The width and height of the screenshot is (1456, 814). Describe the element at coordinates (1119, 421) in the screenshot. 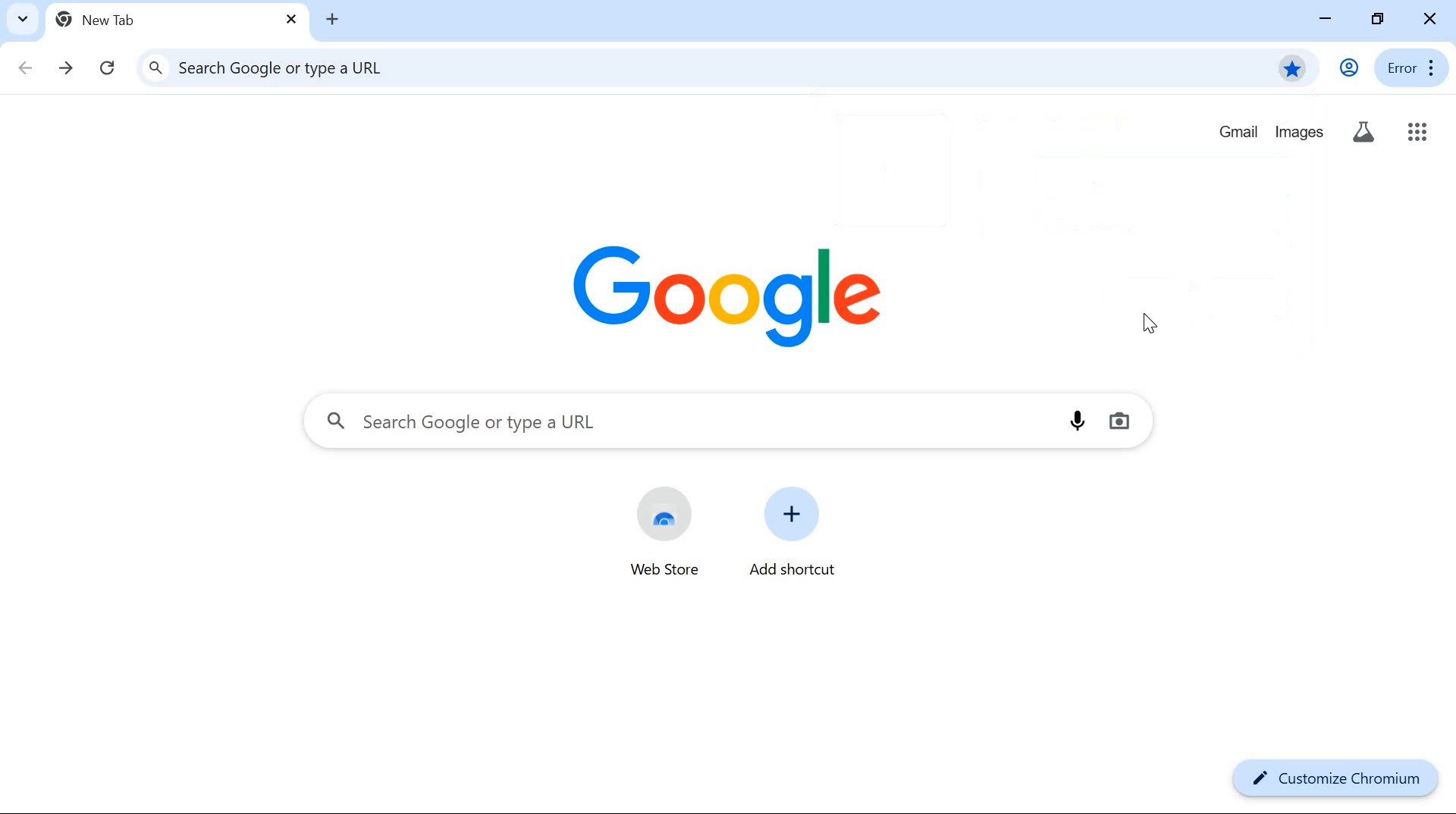

I see `image search` at that location.